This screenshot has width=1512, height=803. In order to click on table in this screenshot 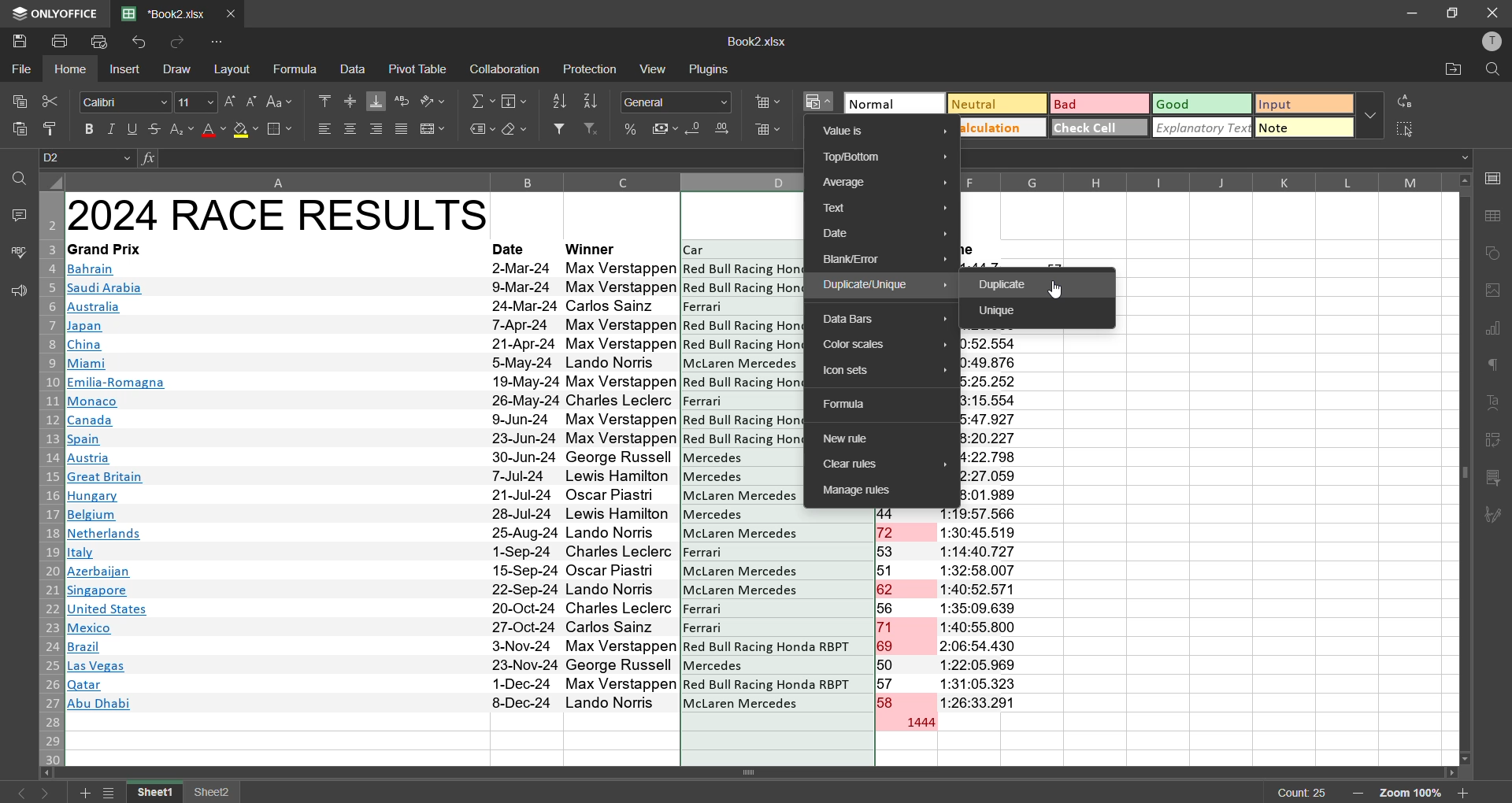, I will do `click(1496, 216)`.